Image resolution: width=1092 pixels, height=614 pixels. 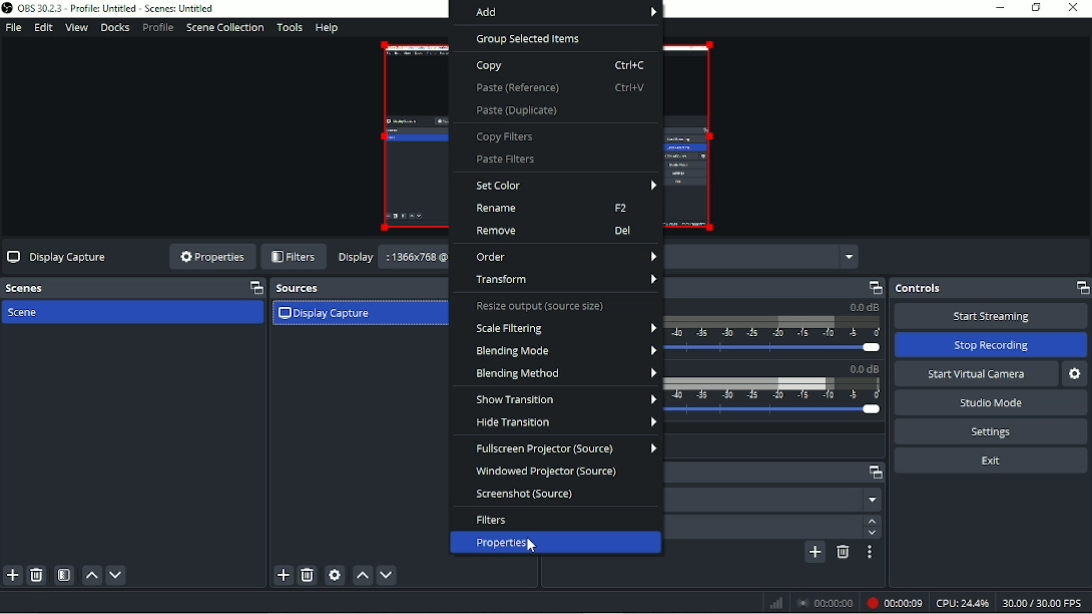 I want to click on Stop recording, so click(x=825, y=602).